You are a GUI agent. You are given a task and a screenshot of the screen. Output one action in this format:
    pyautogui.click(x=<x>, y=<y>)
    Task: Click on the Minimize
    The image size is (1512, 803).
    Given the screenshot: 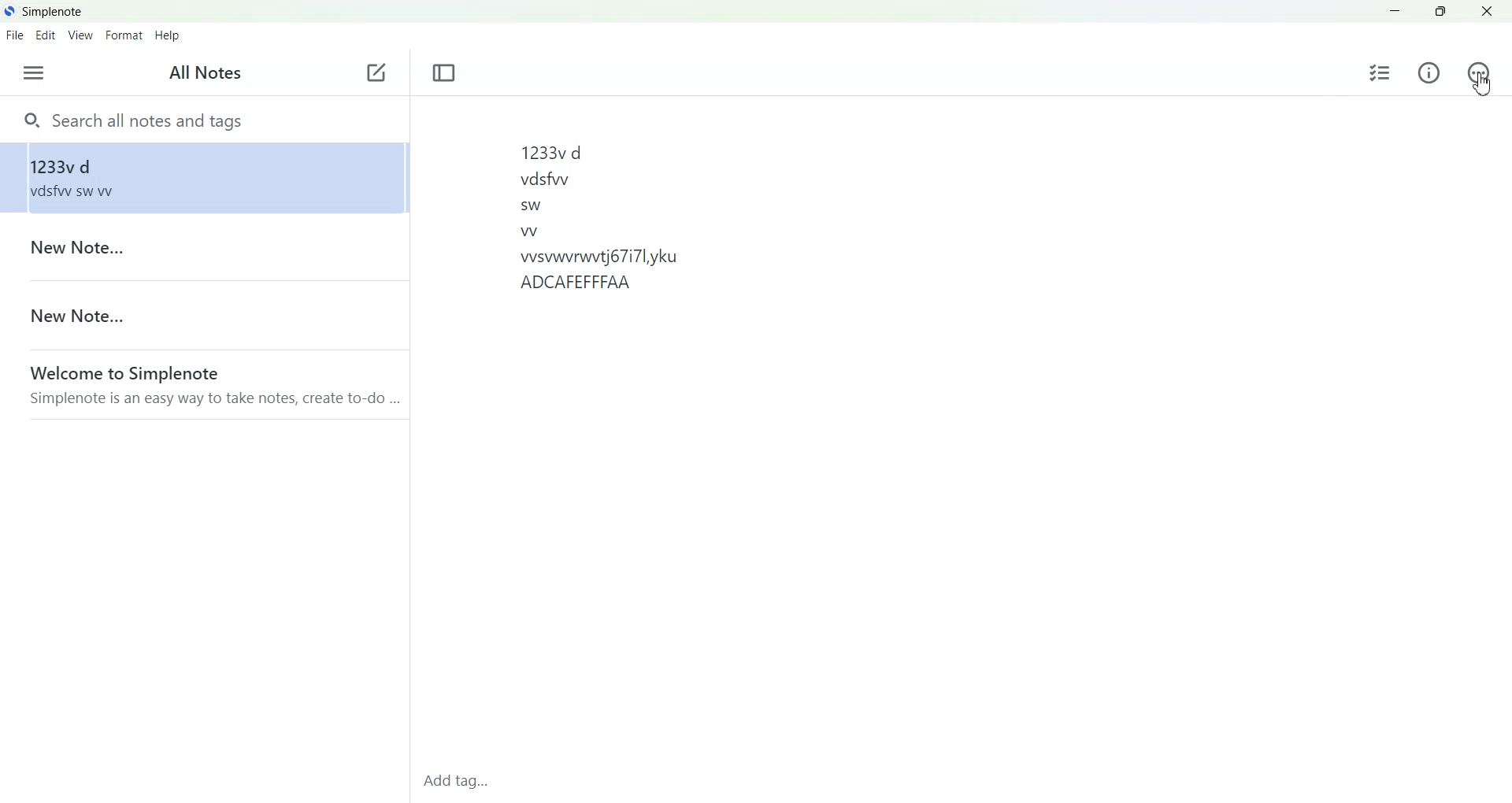 What is the action you would take?
    pyautogui.click(x=1396, y=12)
    